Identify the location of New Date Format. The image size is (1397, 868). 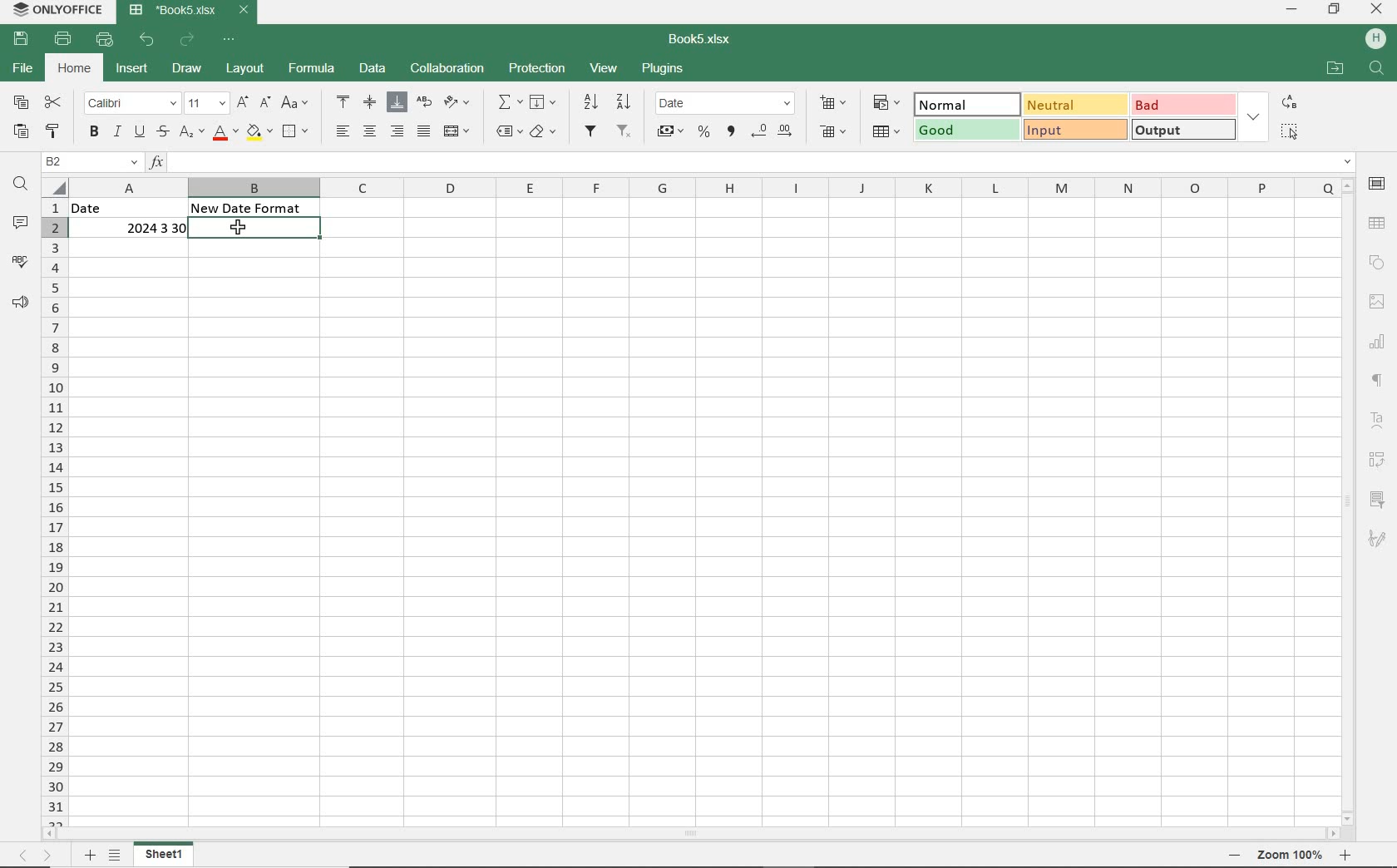
(250, 208).